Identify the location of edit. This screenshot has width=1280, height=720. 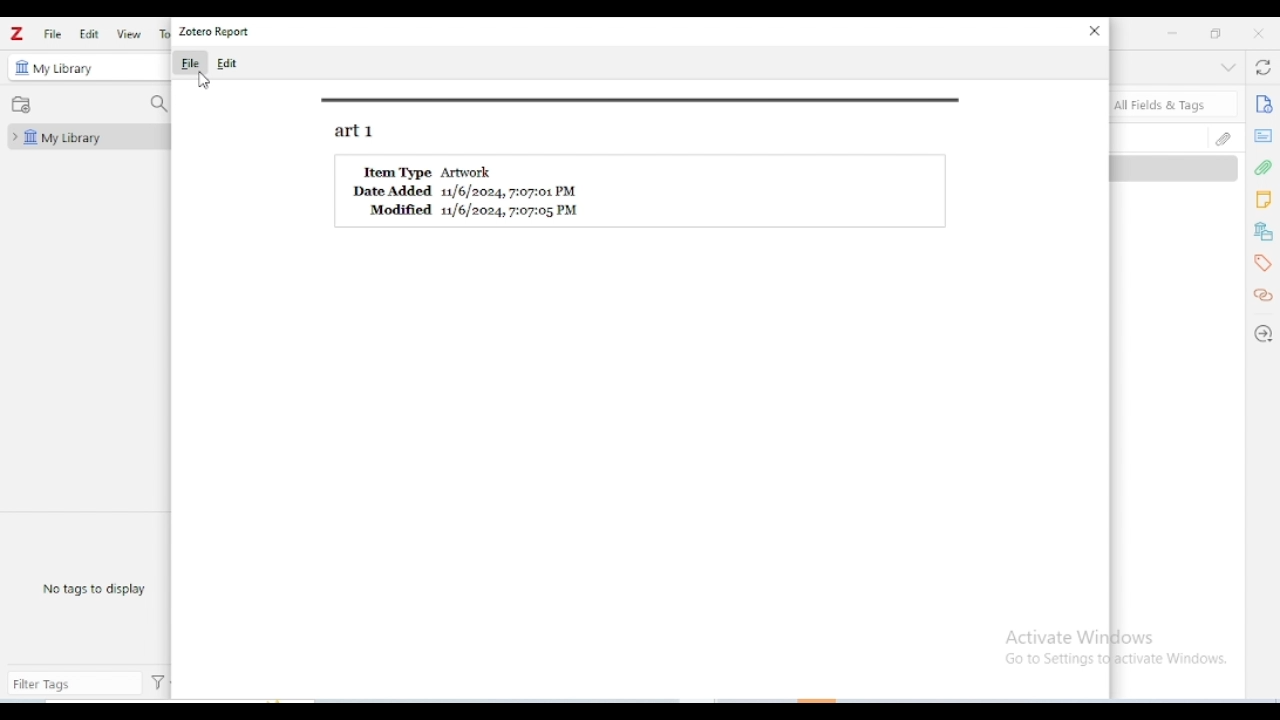
(89, 33).